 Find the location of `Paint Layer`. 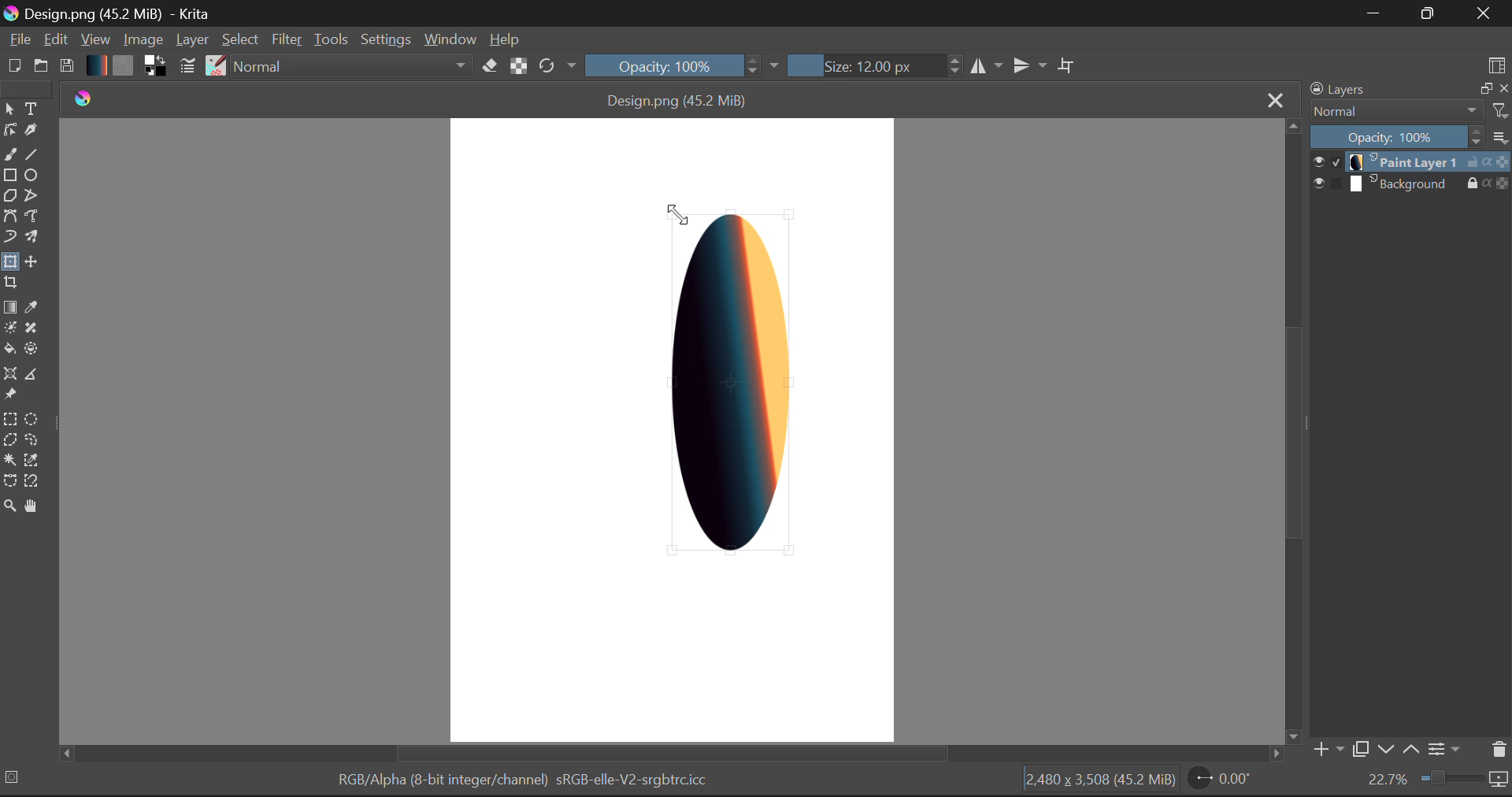

Paint Layer is located at coordinates (1411, 162).